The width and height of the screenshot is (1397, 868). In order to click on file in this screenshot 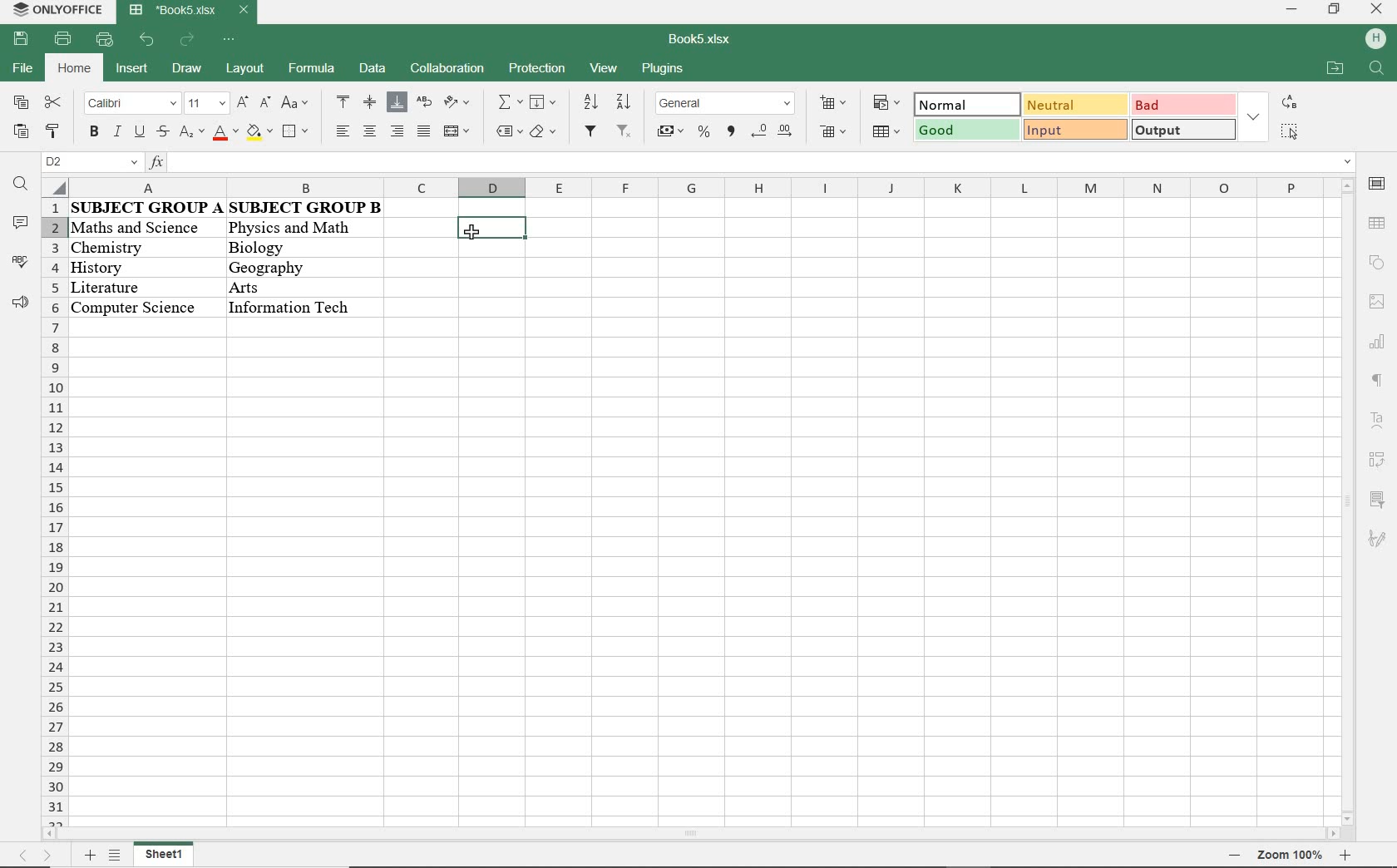, I will do `click(21, 68)`.